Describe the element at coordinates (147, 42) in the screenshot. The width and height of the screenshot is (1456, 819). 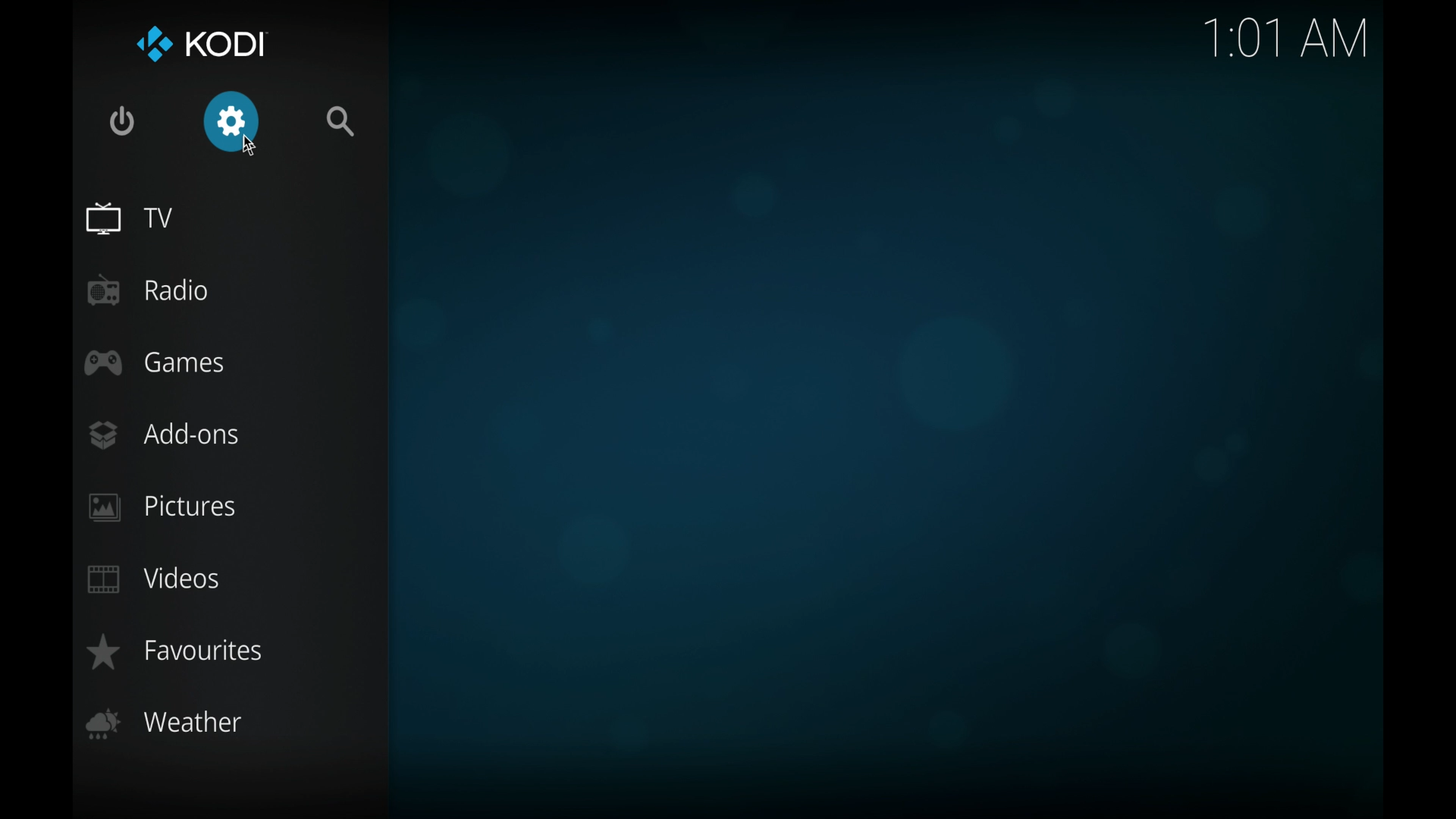
I see `kodi logo` at that location.